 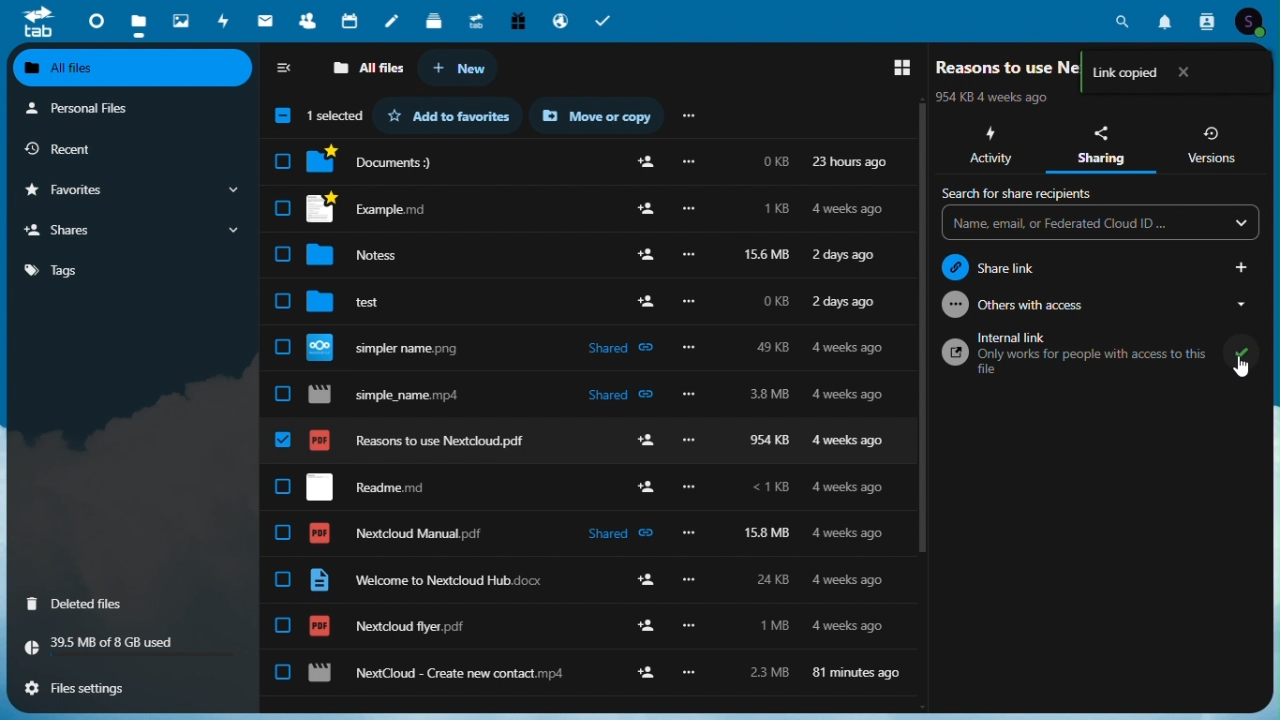 I want to click on , so click(x=692, y=485).